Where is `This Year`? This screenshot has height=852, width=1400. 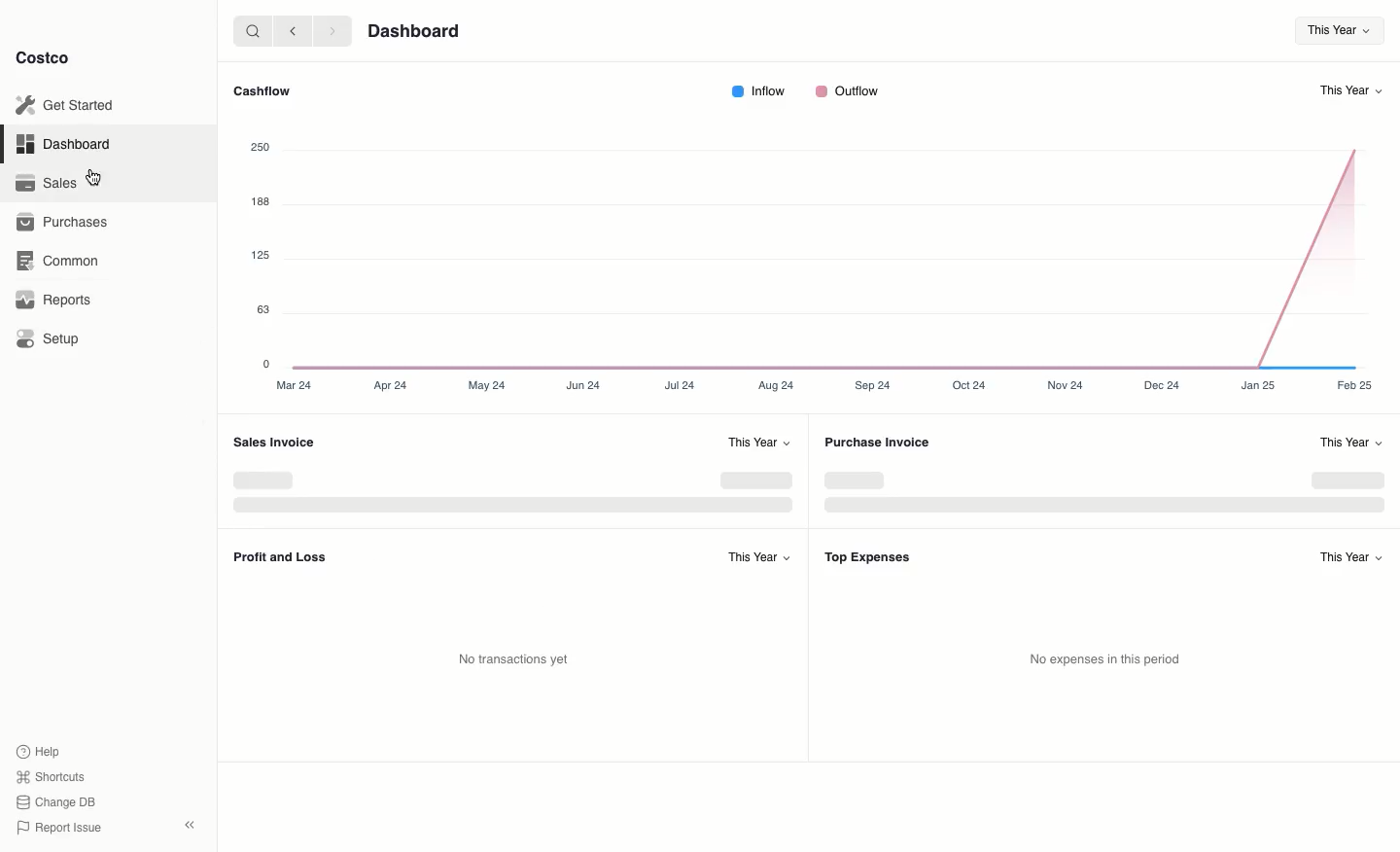
This Year is located at coordinates (1349, 442).